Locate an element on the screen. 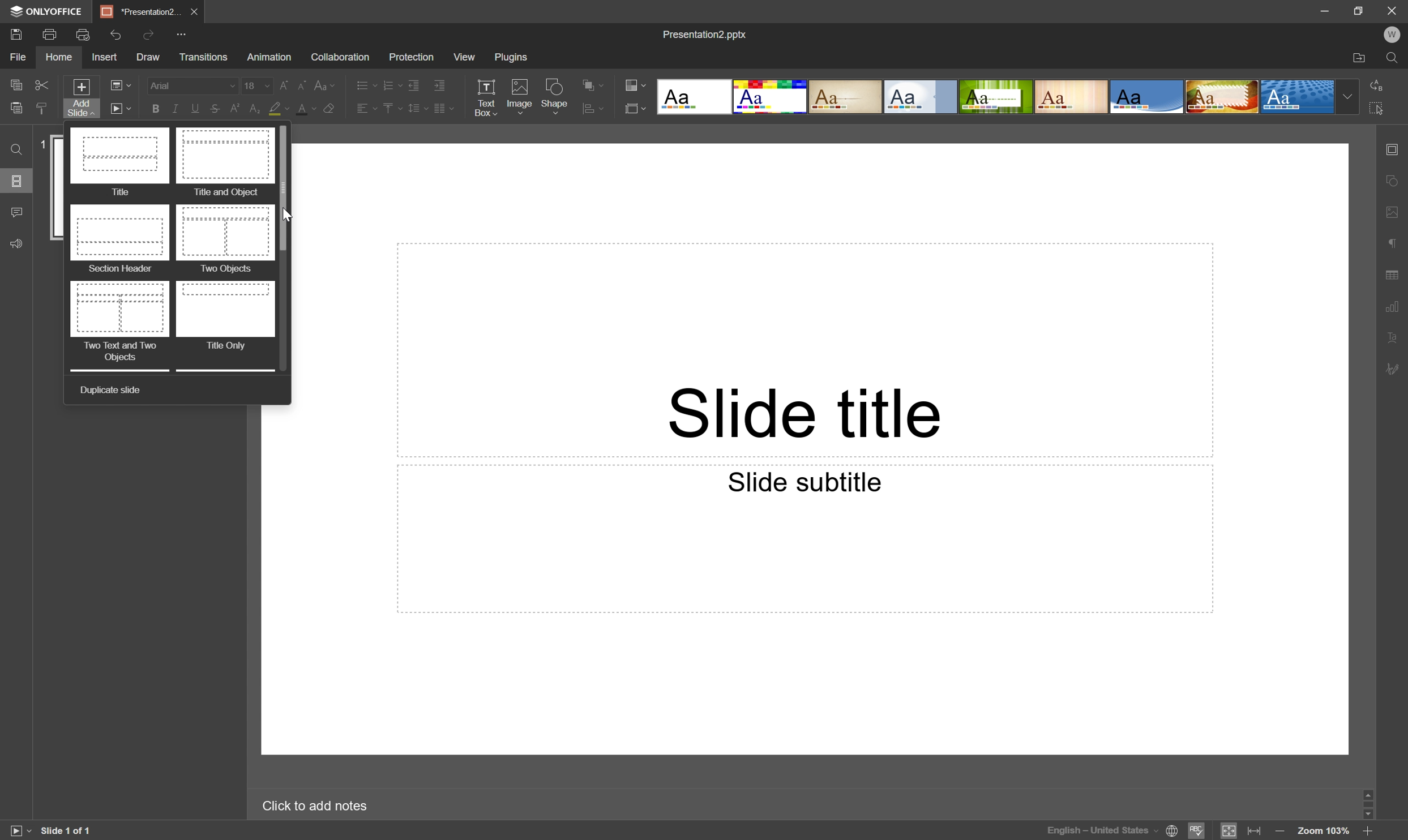 The width and height of the screenshot is (1408, 840). Protection is located at coordinates (409, 56).